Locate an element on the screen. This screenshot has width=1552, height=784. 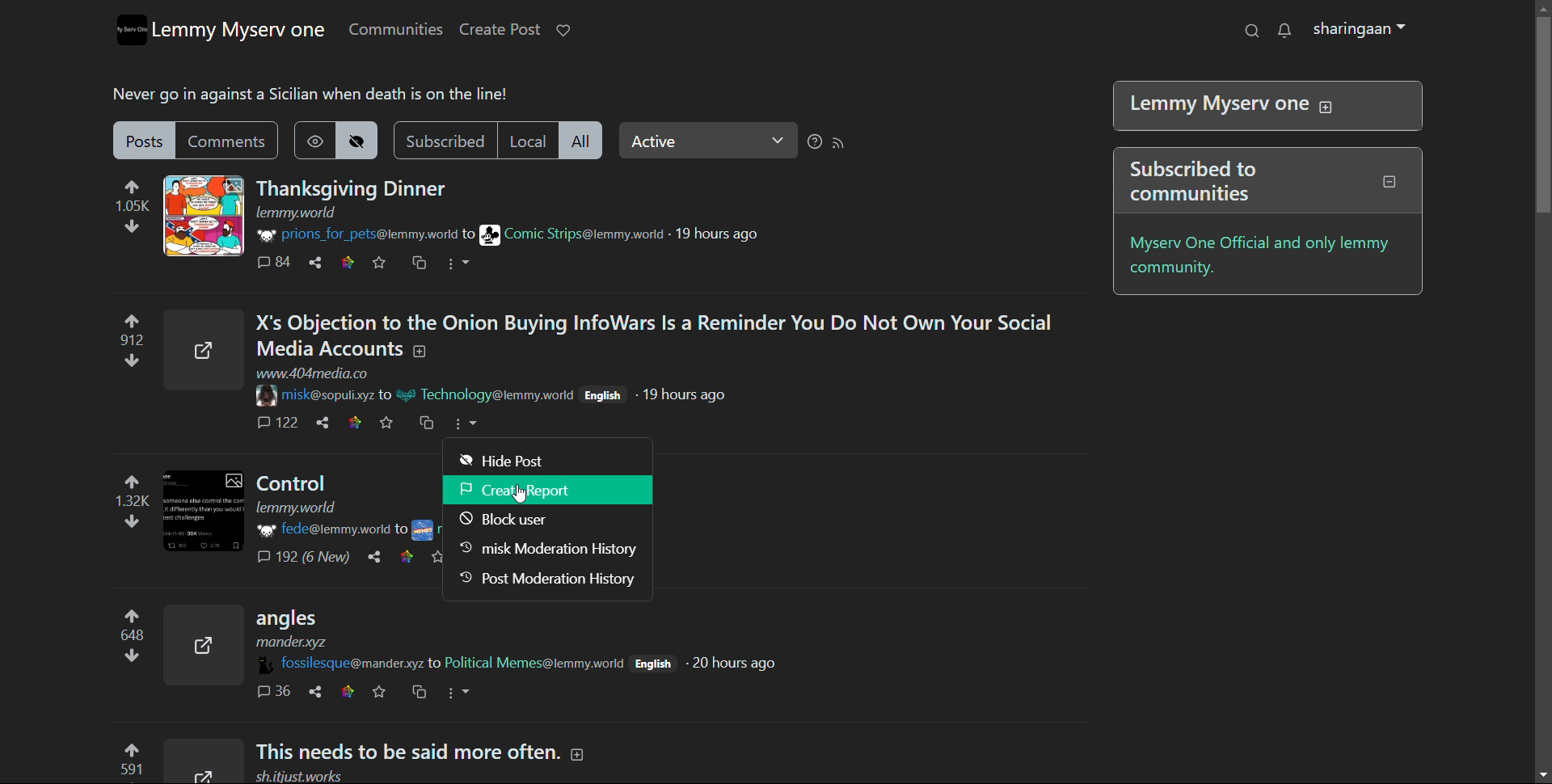
misk moderation history is located at coordinates (552, 549).